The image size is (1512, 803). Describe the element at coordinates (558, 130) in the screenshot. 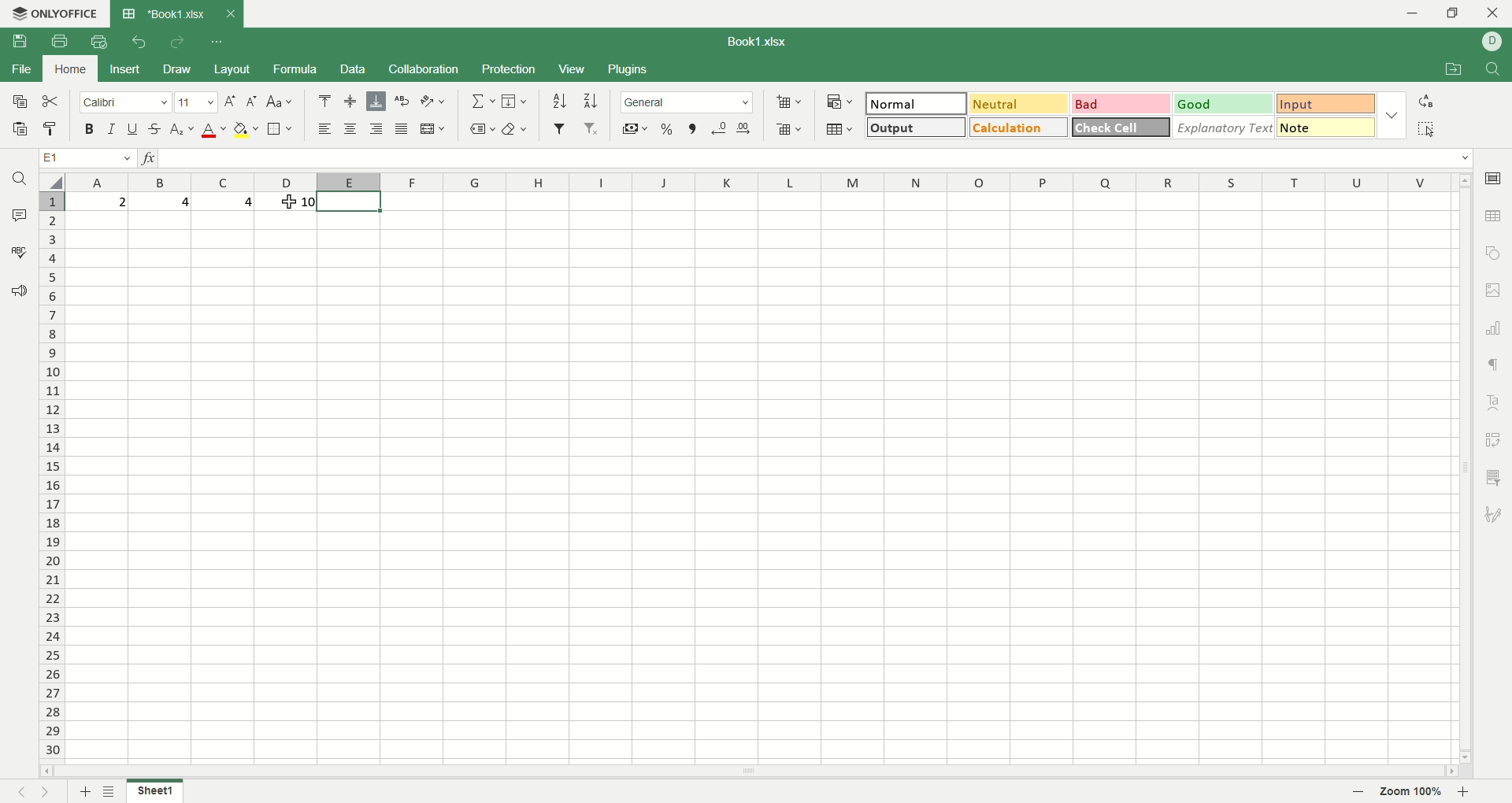

I see `filter` at that location.